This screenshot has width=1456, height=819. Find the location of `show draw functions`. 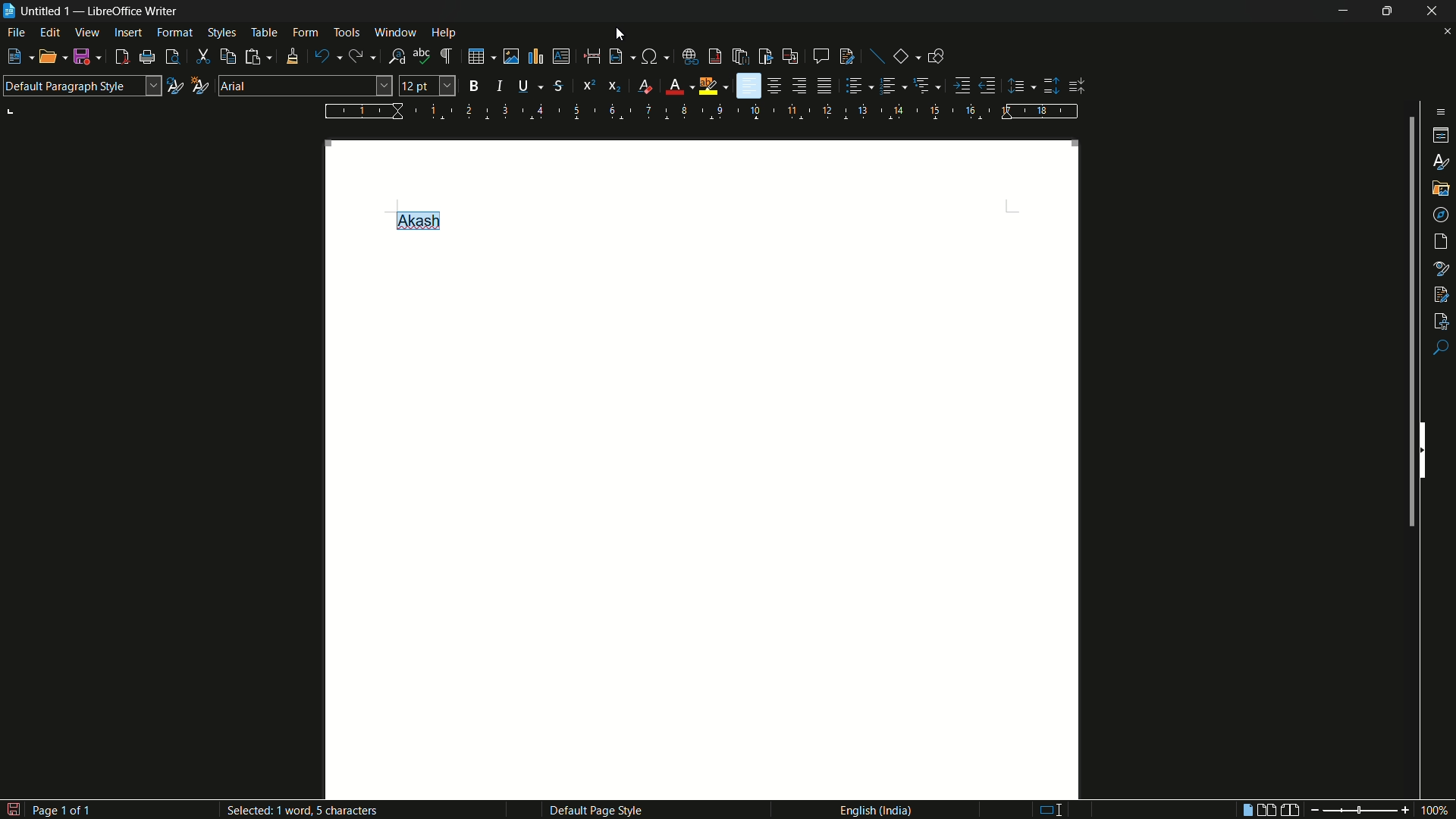

show draw functions is located at coordinates (936, 55).